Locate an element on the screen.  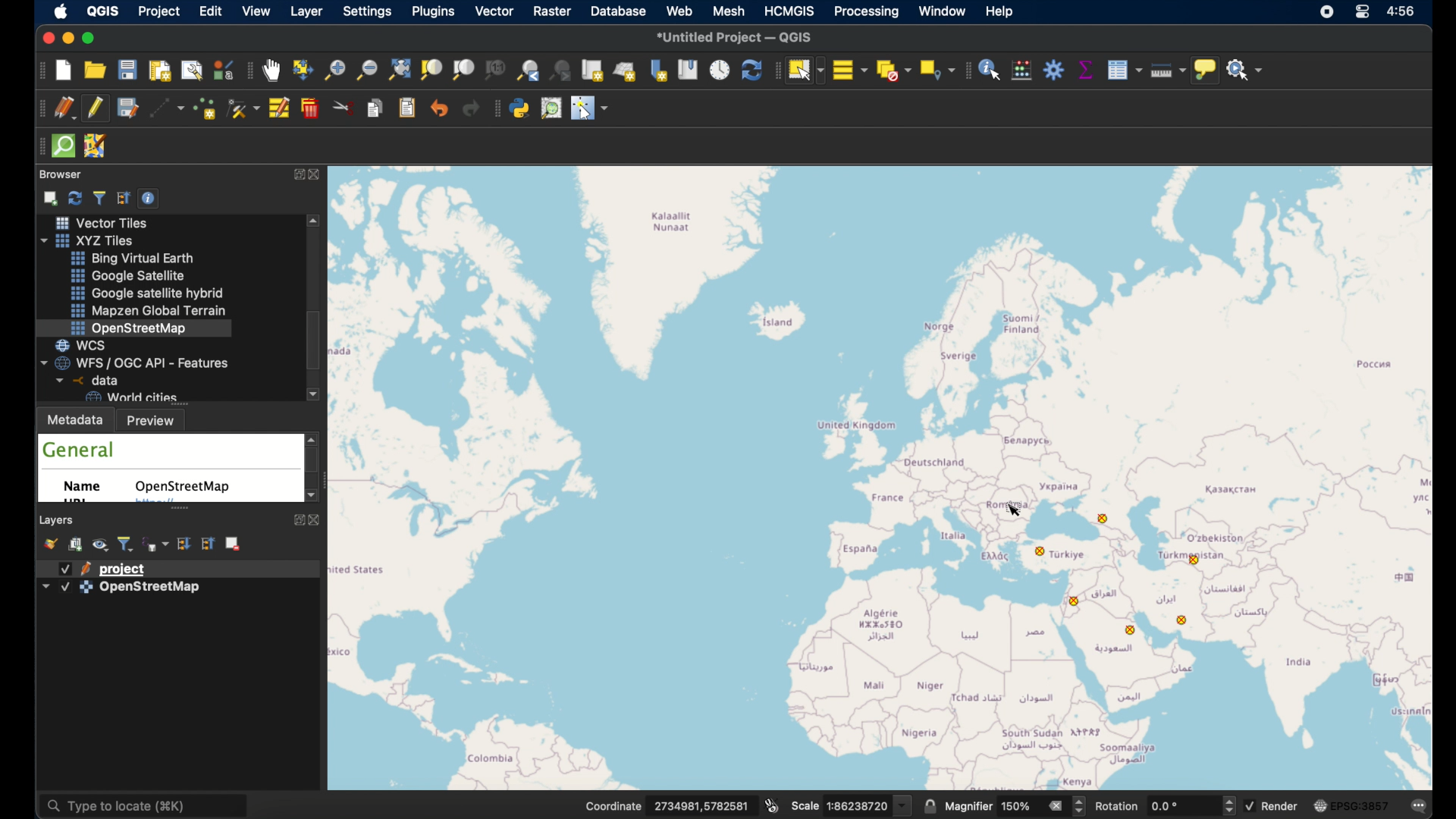
map navigation toolbar is located at coordinates (249, 72).